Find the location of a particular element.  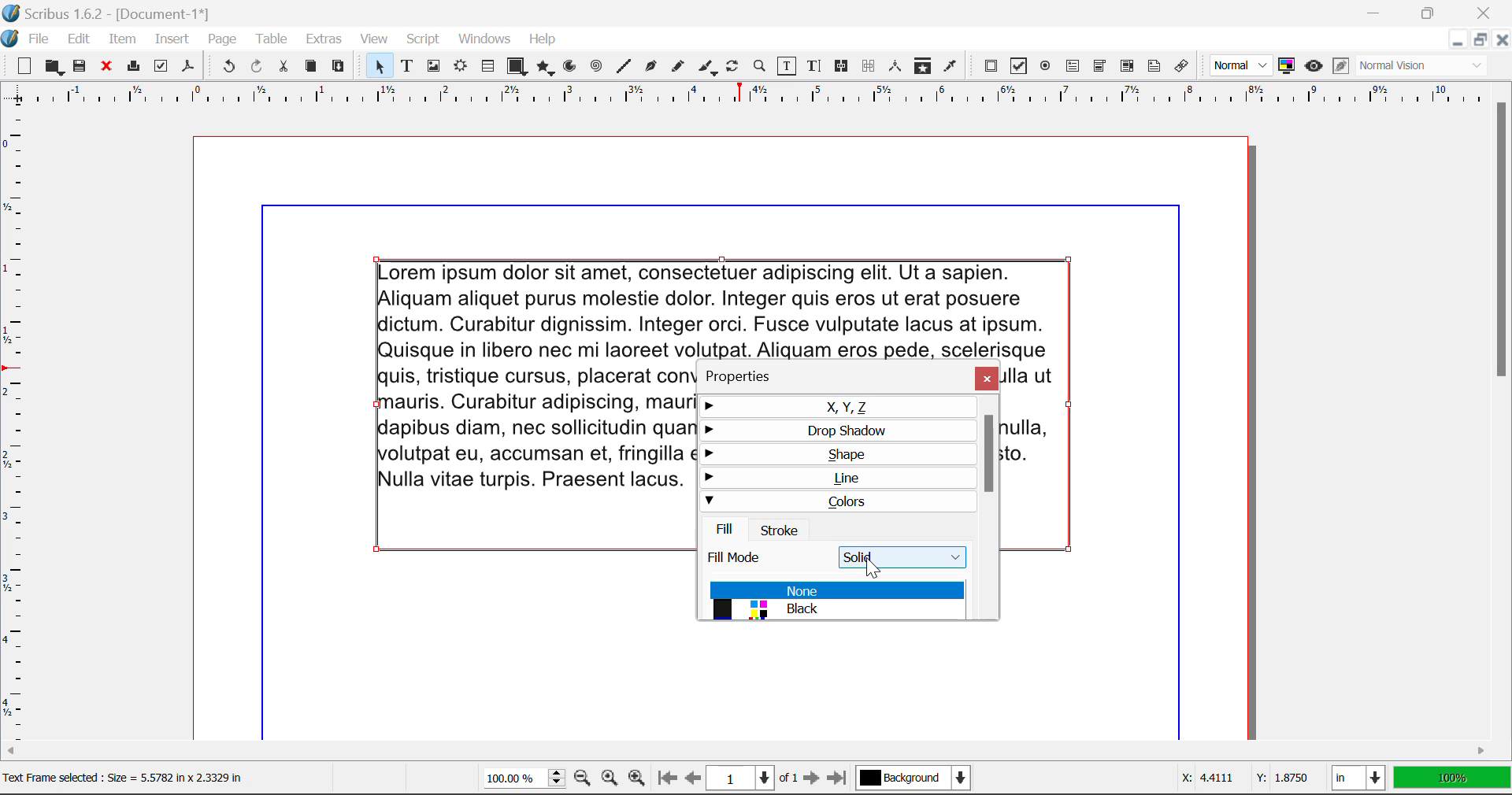

Cut is located at coordinates (283, 67).